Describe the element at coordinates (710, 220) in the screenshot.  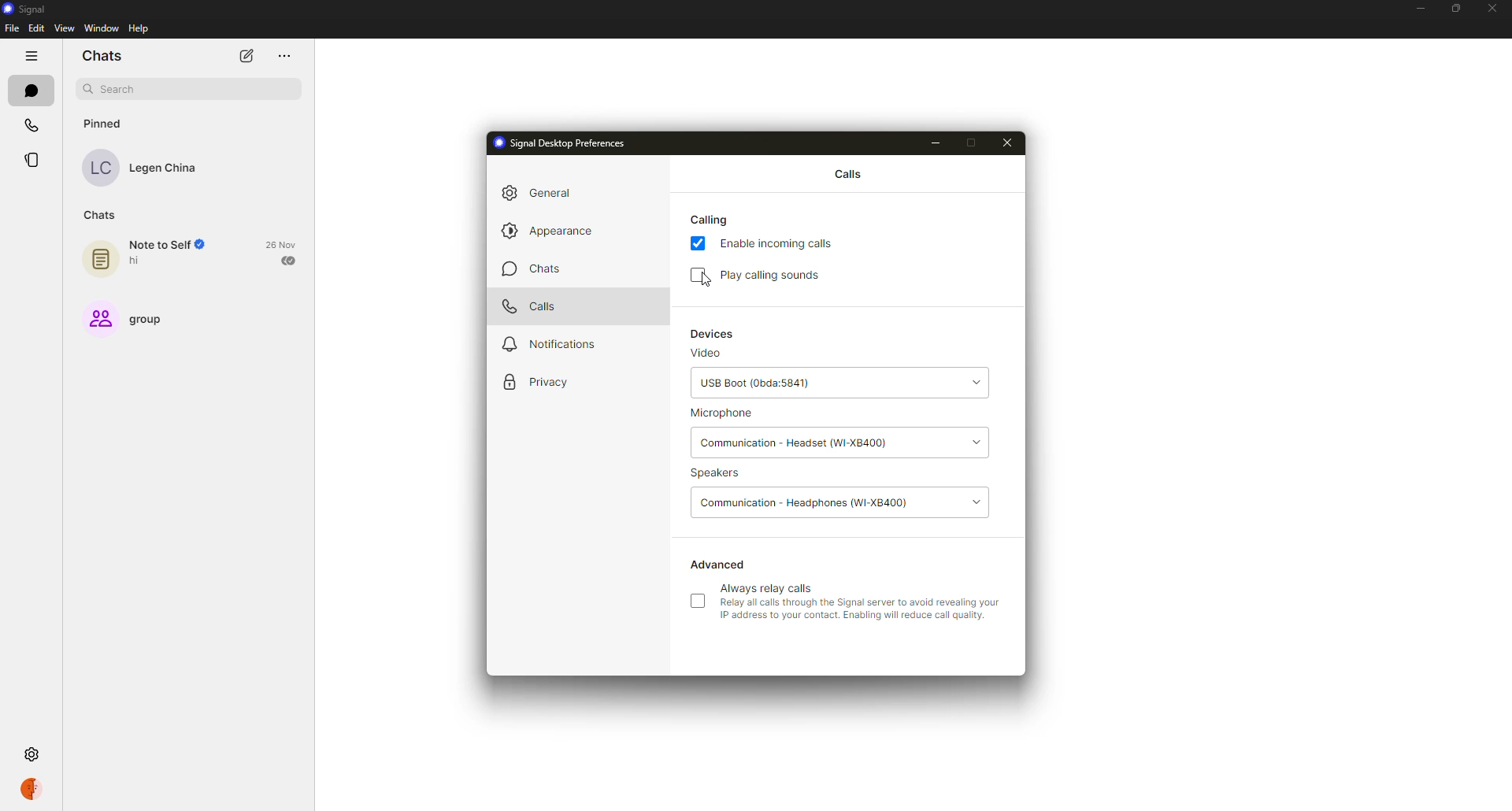
I see `calling` at that location.